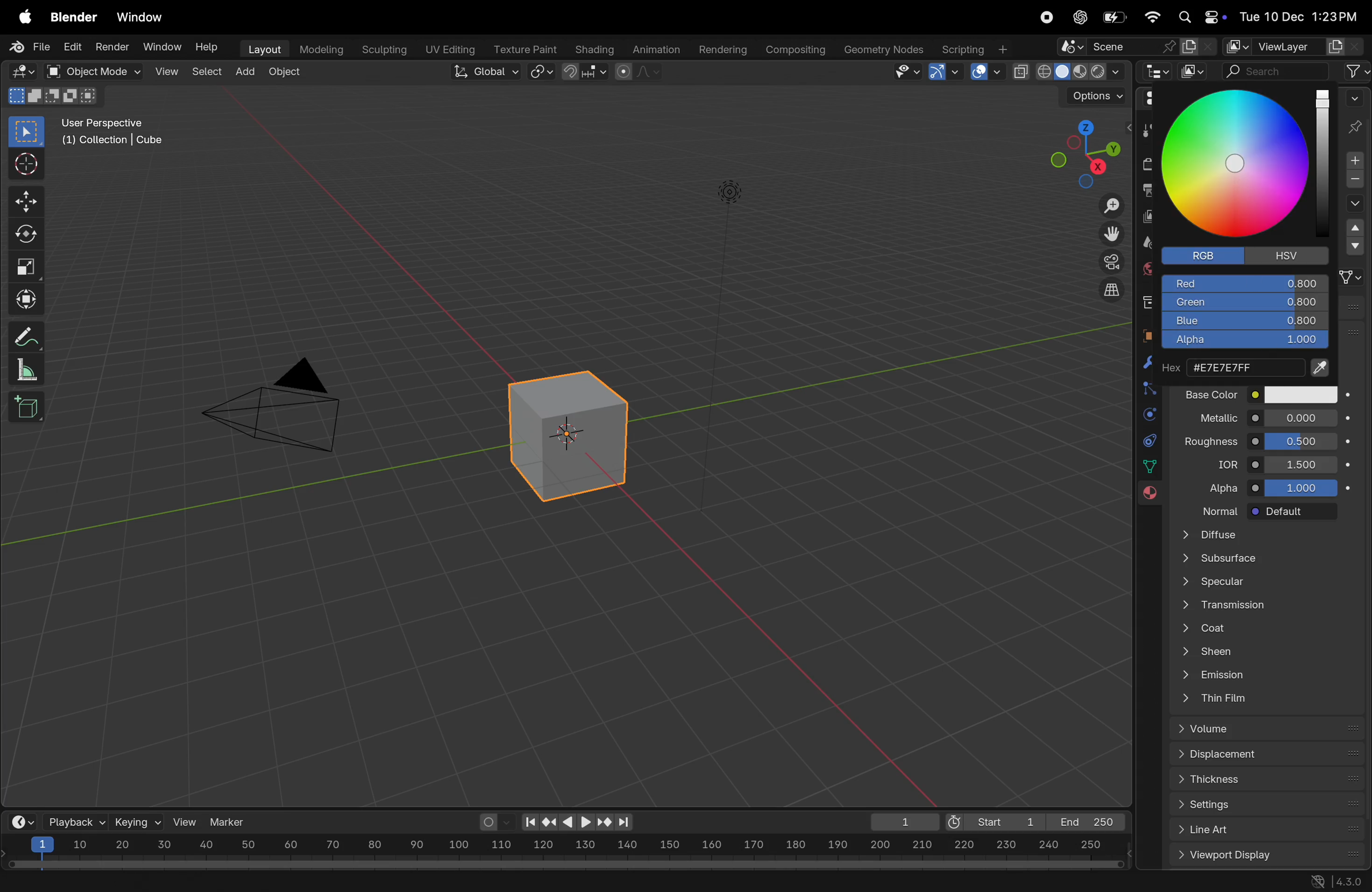  I want to click on 10000, so click(1301, 487).